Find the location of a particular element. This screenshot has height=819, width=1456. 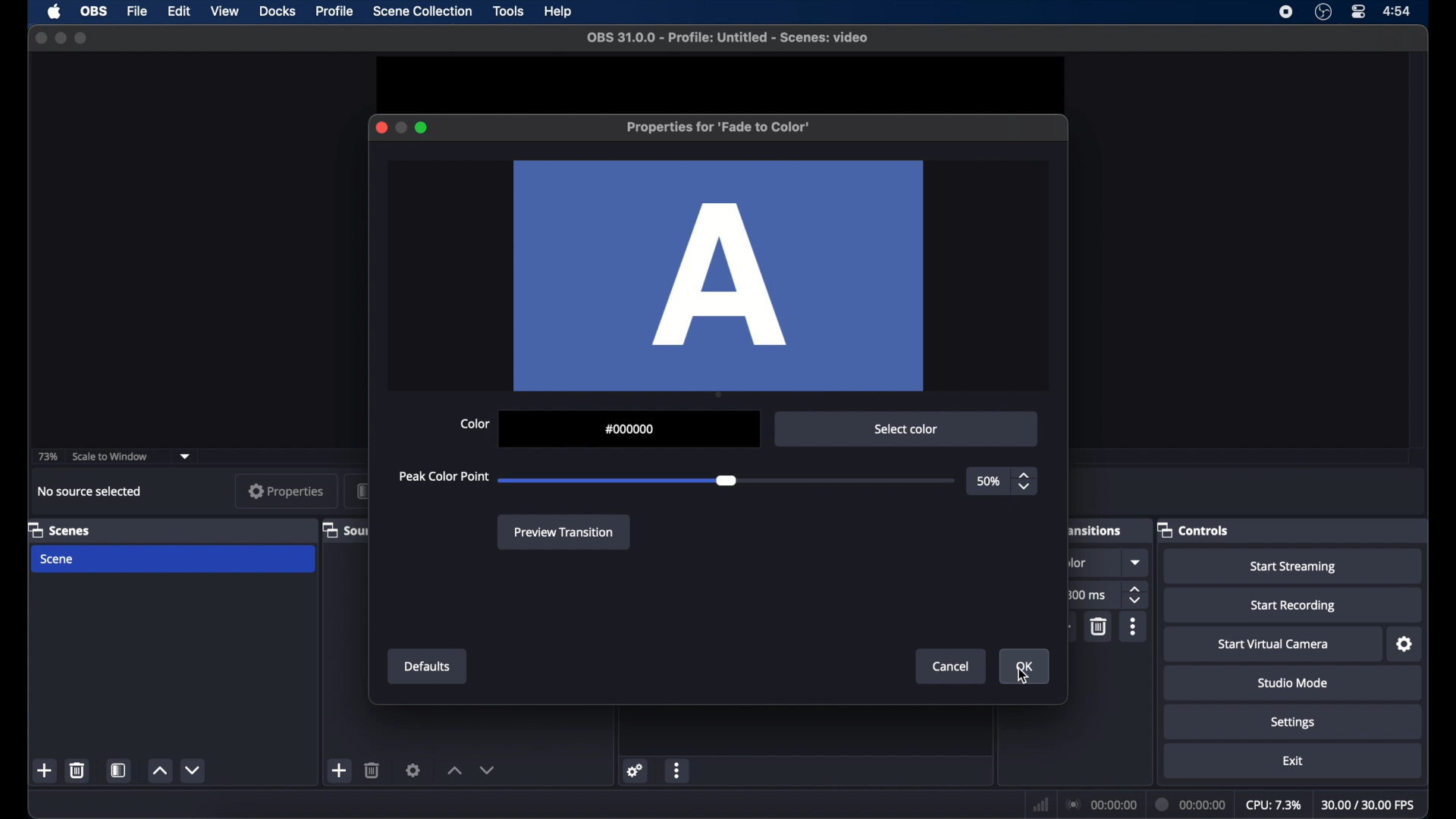

duration is located at coordinates (1191, 804).